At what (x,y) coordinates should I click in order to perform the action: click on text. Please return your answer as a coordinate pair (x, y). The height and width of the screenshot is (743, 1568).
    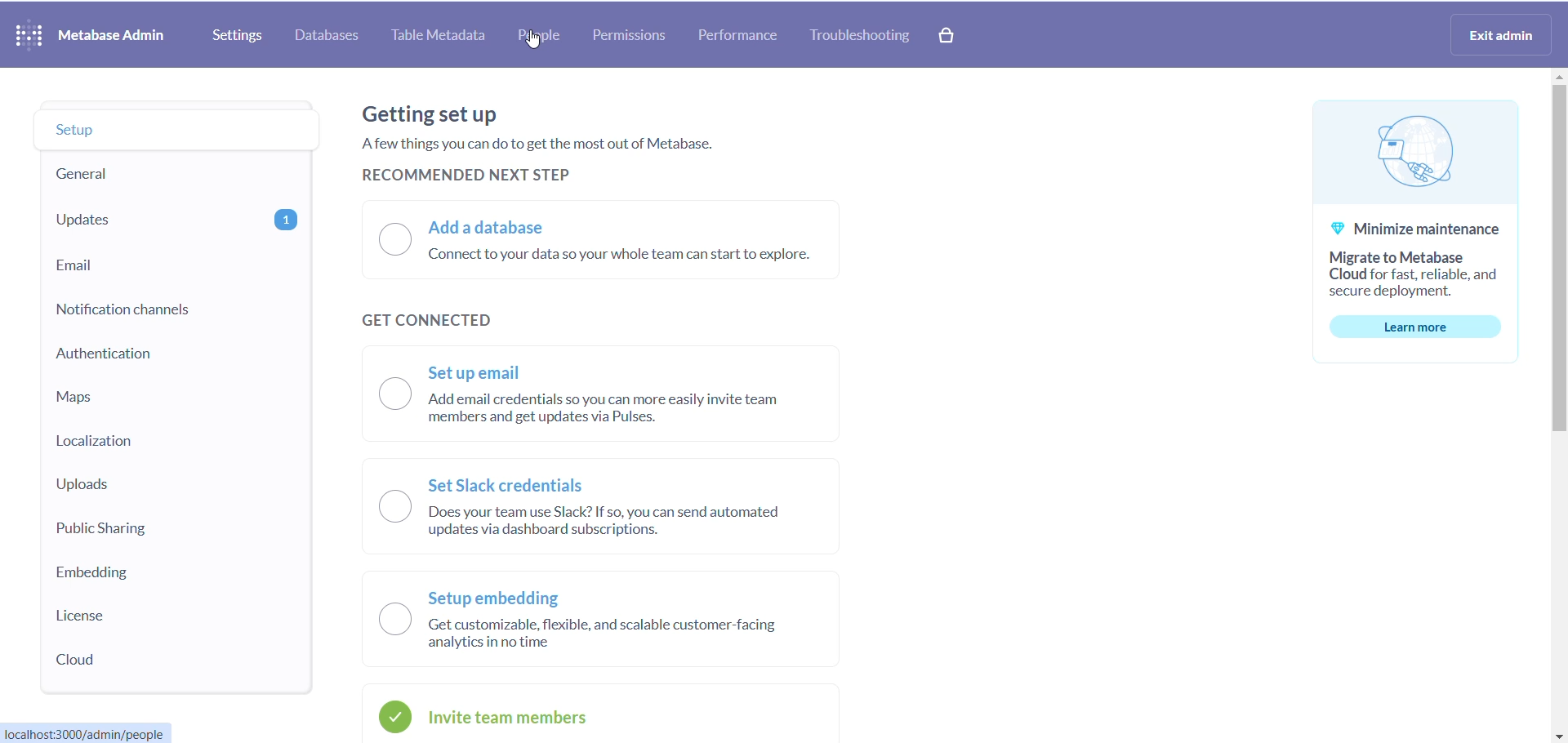
    Looking at the image, I should click on (567, 149).